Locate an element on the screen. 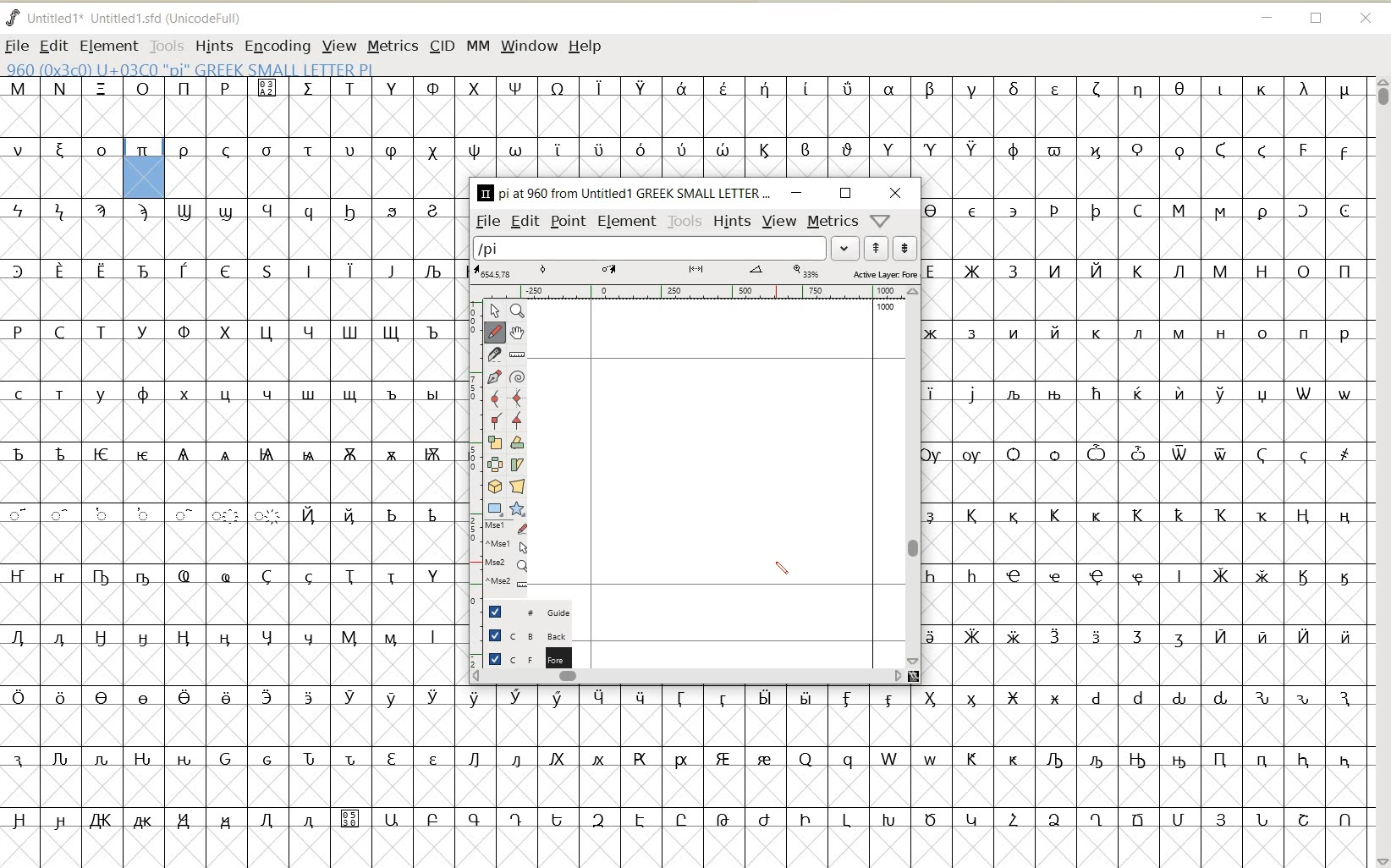 The height and width of the screenshot is (868, 1391). FILE is located at coordinates (487, 222).